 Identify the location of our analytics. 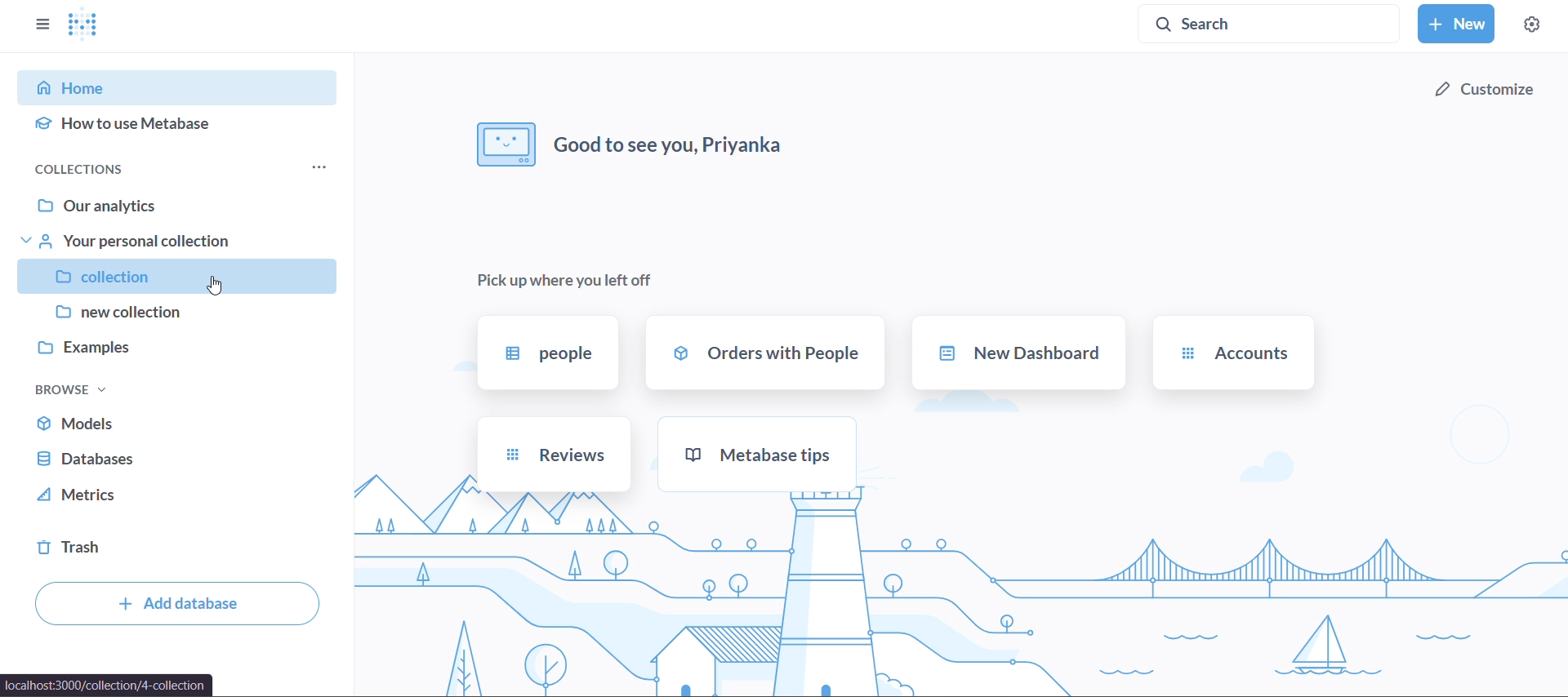
(181, 205).